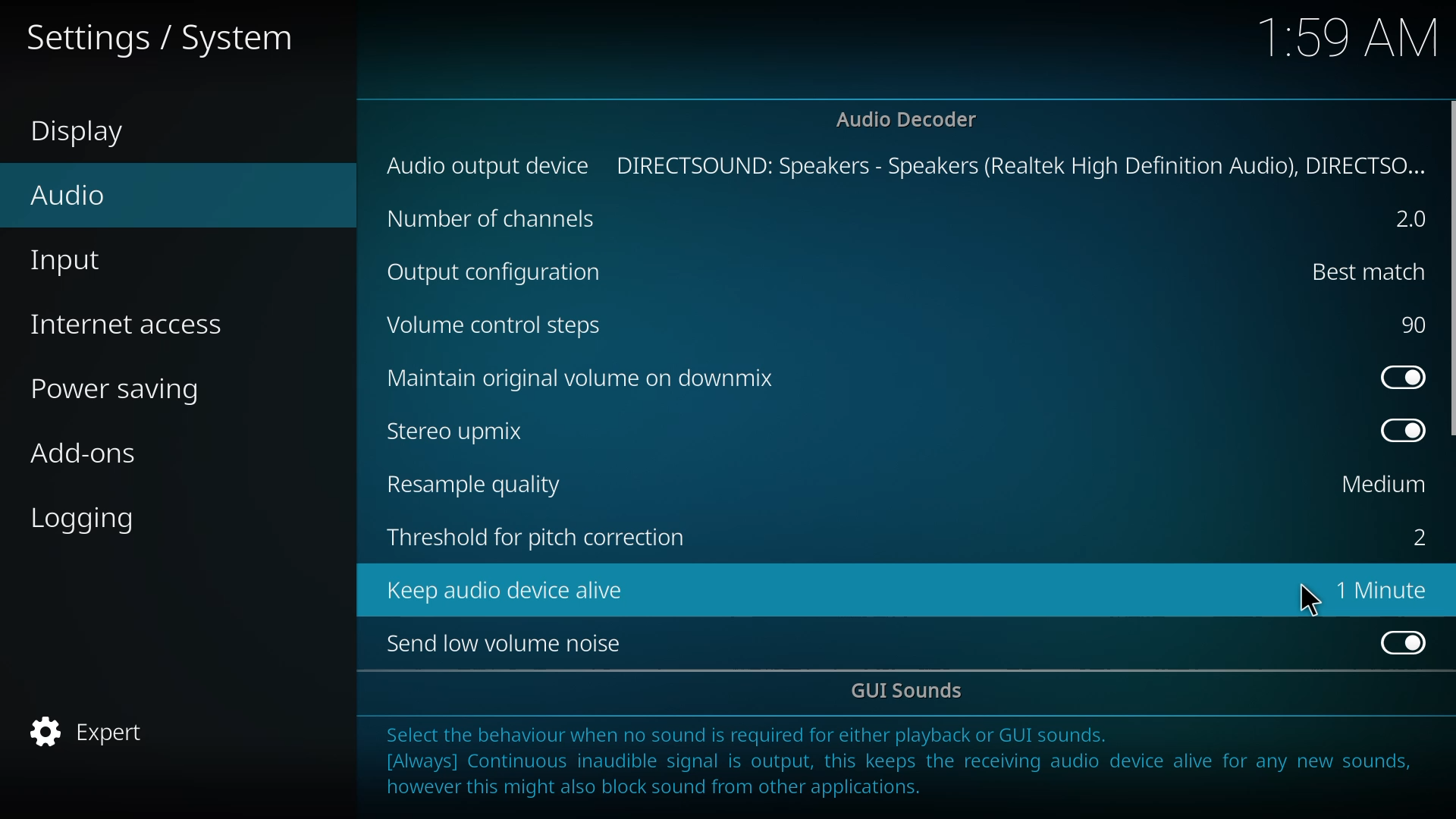  Describe the element at coordinates (493, 219) in the screenshot. I see `number of channels` at that location.